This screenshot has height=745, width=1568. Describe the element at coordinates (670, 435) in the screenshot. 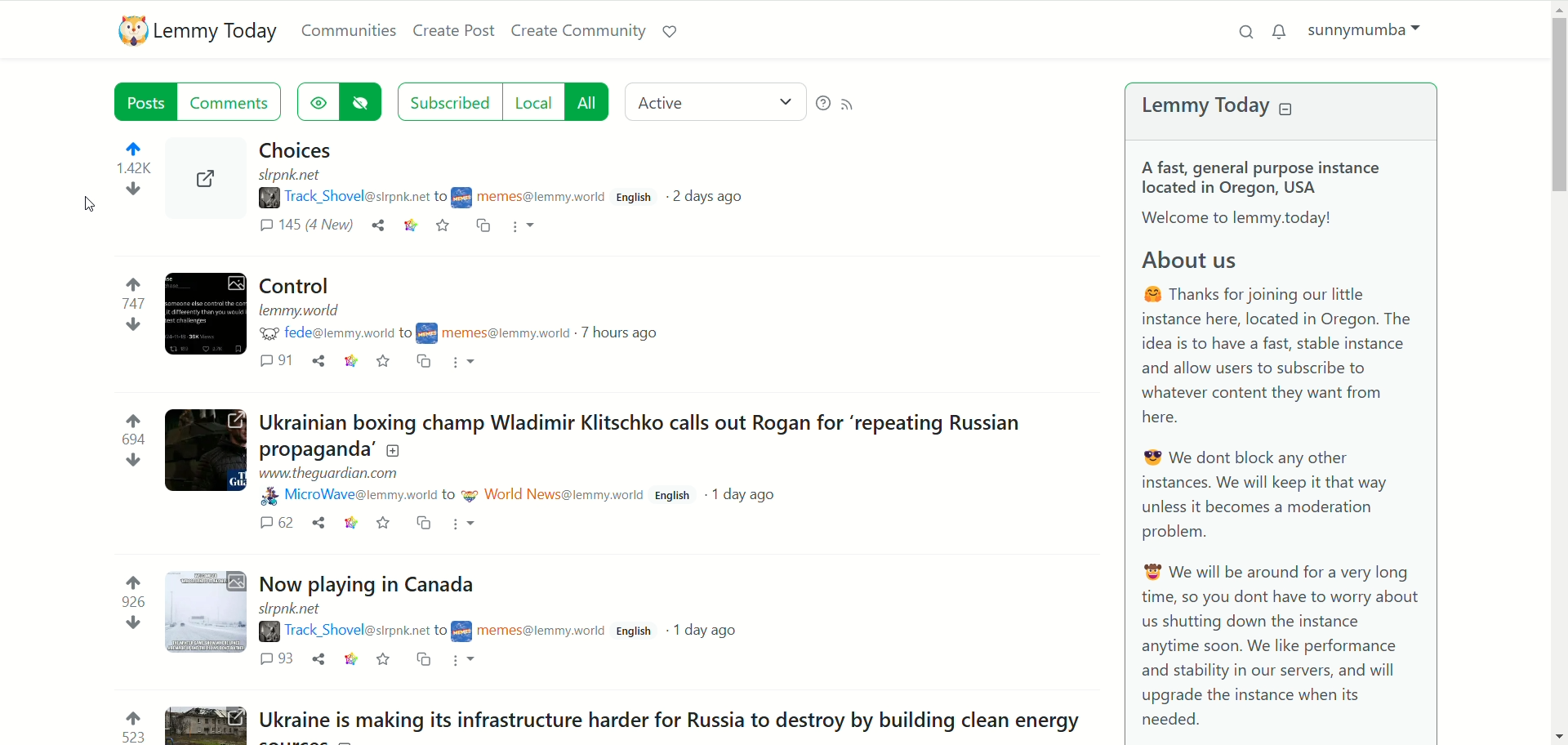

I see `Post - Ukrainian boxing champ Wladimir Klitschko calls out Rogan for ‘repeating Russian propaganda` at that location.